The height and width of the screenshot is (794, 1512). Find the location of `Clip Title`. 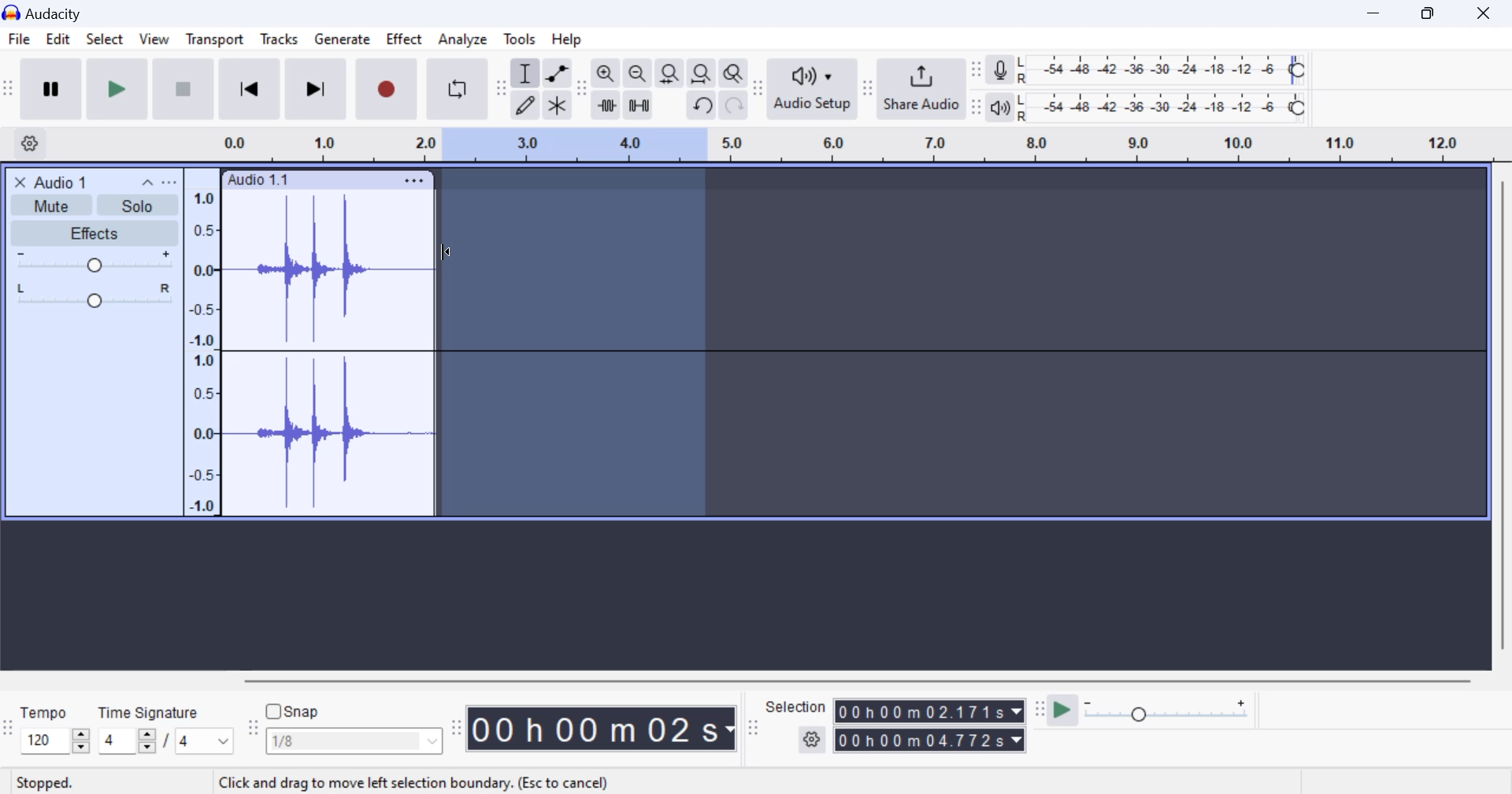

Clip Title is located at coordinates (68, 181).